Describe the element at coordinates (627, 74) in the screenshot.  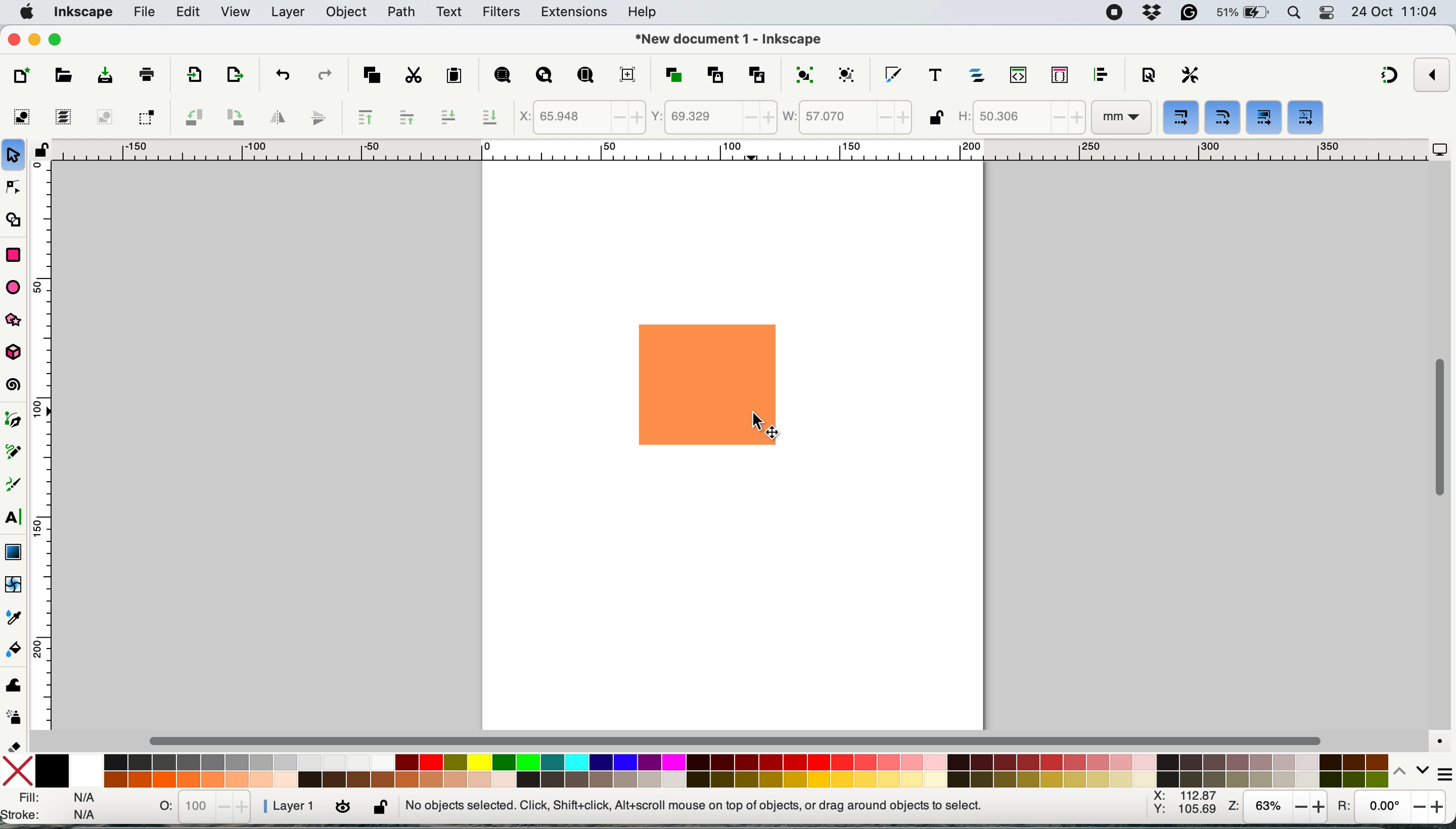
I see `zoom center page` at that location.